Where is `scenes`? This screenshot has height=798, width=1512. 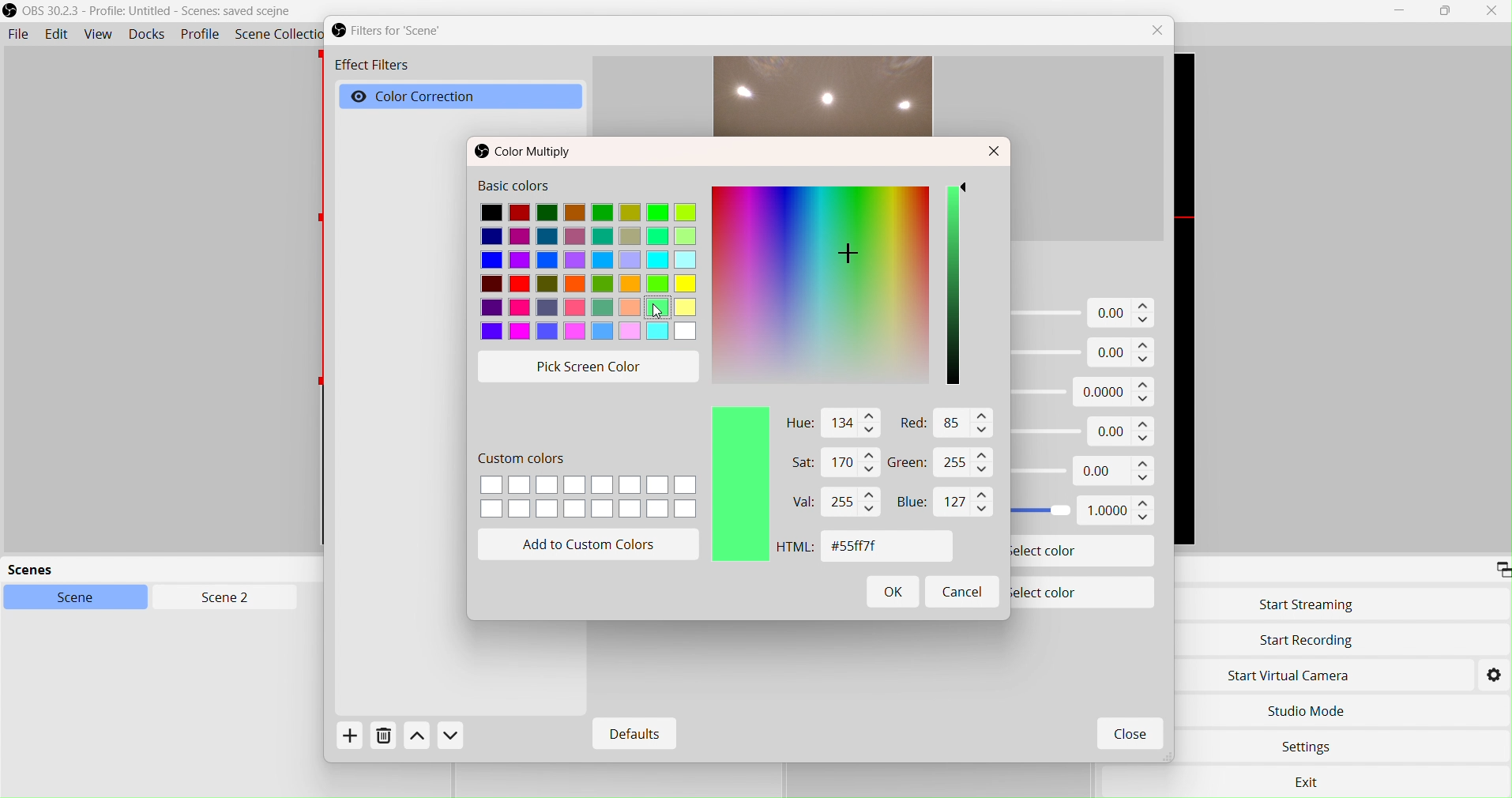 scenes is located at coordinates (126, 570).